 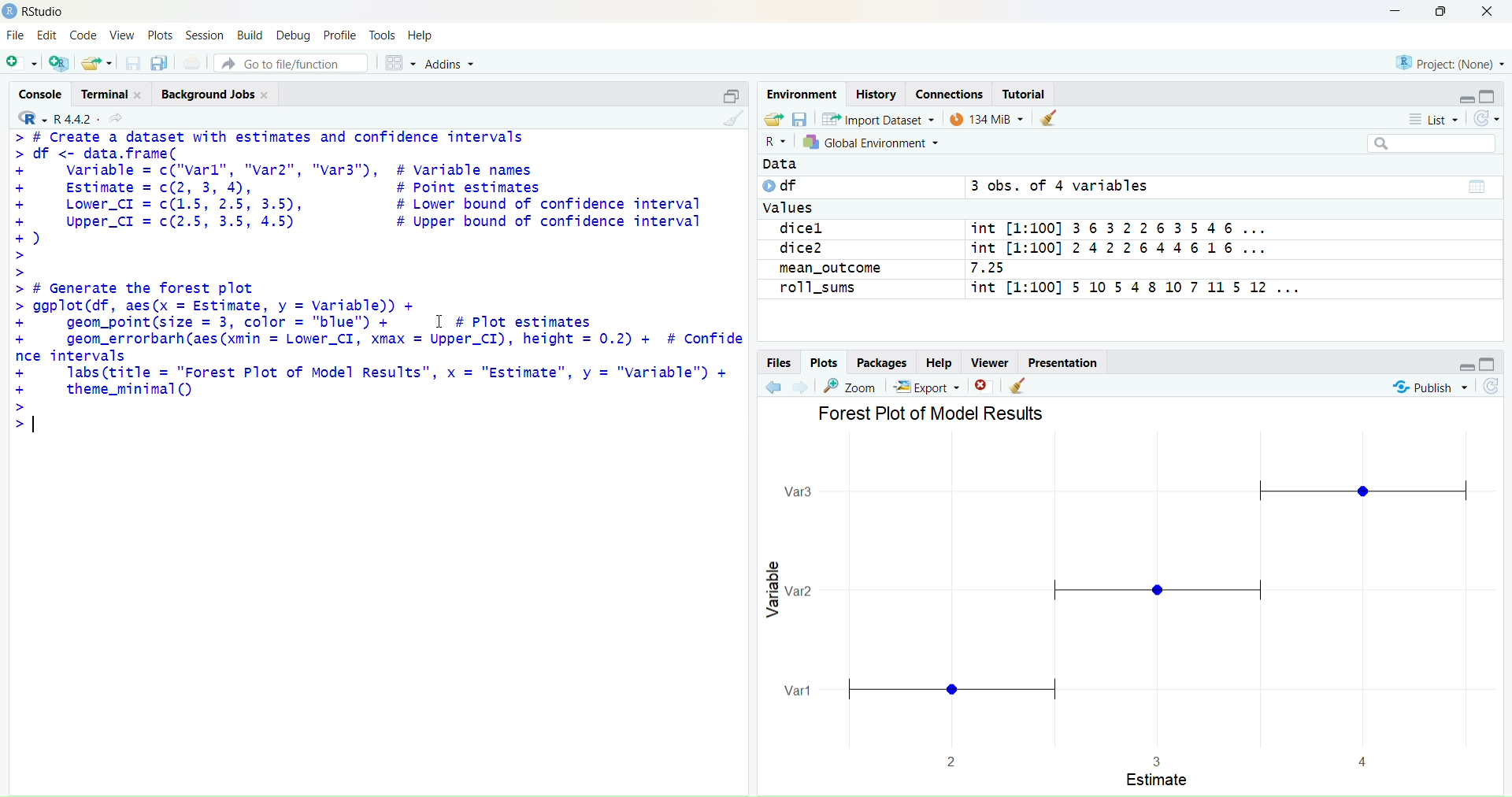 What do you see at coordinates (367, 204) in the screenshot?
I see `# Create a dataset with estimates and confidence intervals
df <- data.frame(
variable = c("varl", "var2", "var3"), # variable names
Estimate = c(2, 3, 4), # Point estimates
Lower_CI = c(1.5, 2.5, 3.5), # Lower bound of confidence interval
Upper_CI = c(2.5, 3.5, 4.5) # Upper bound of confidence interval
)` at bounding box center [367, 204].